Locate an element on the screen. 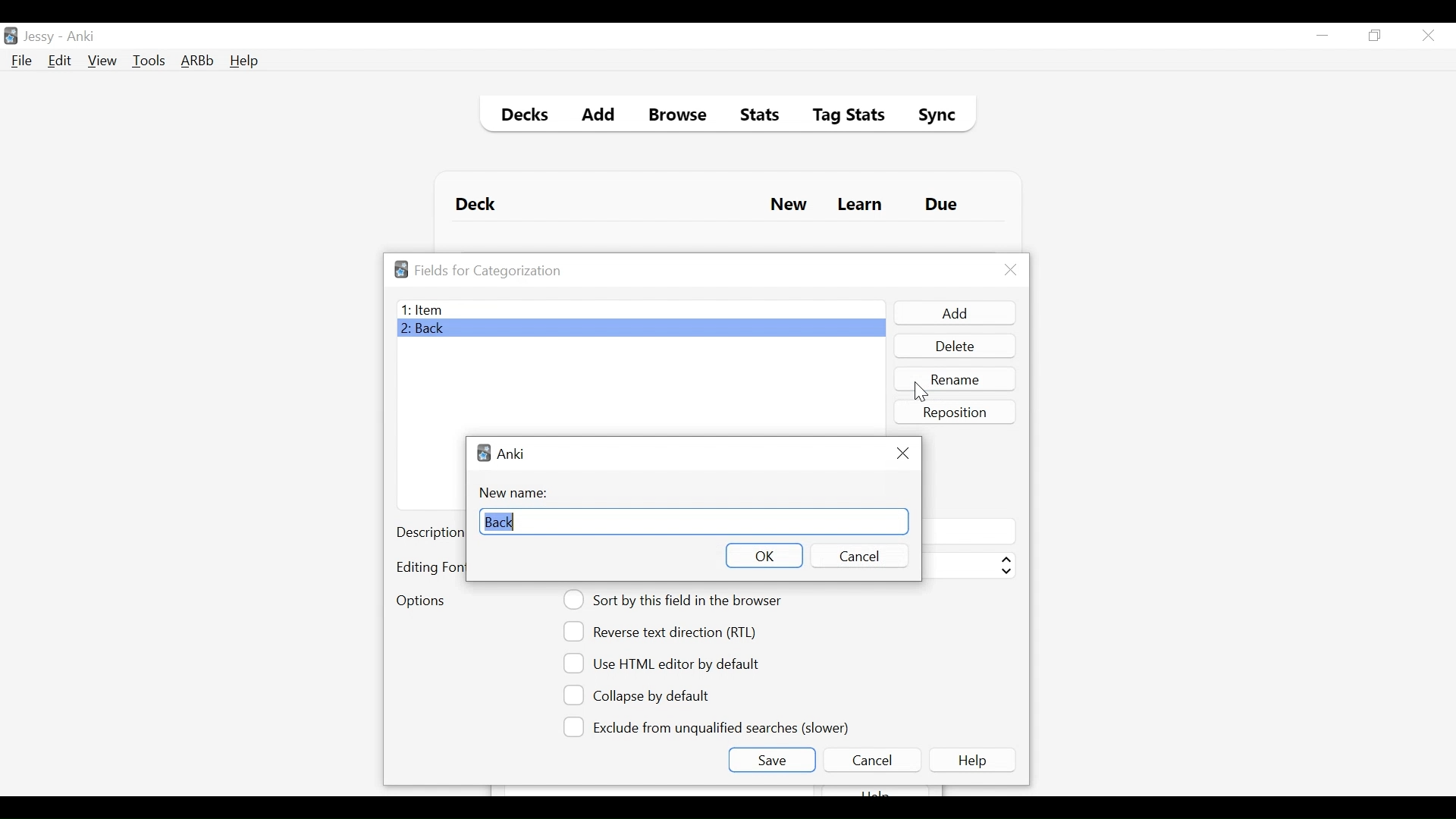 The image size is (1456, 819). Close is located at coordinates (1428, 36).